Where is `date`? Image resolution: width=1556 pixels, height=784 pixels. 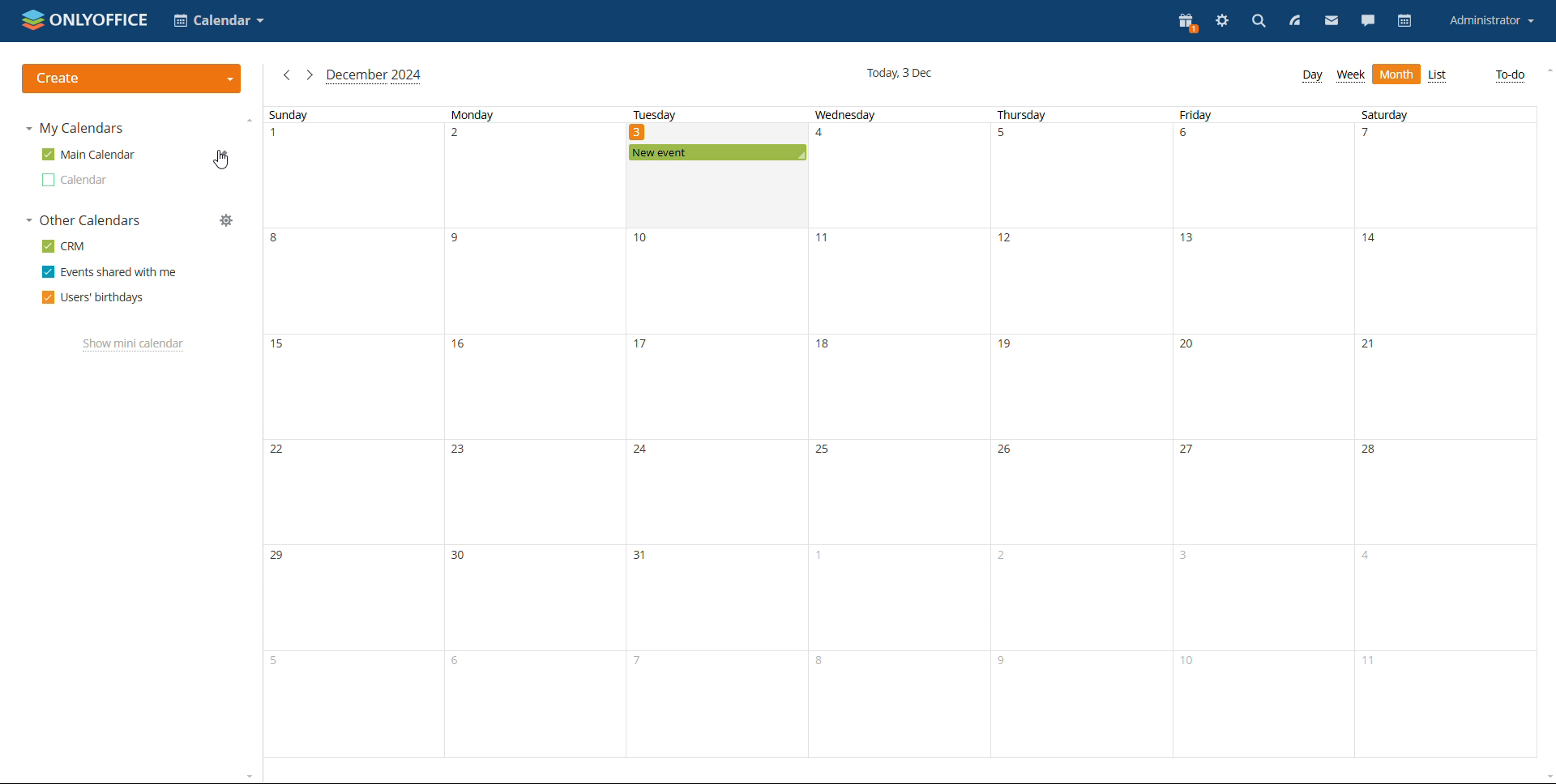
date is located at coordinates (349, 596).